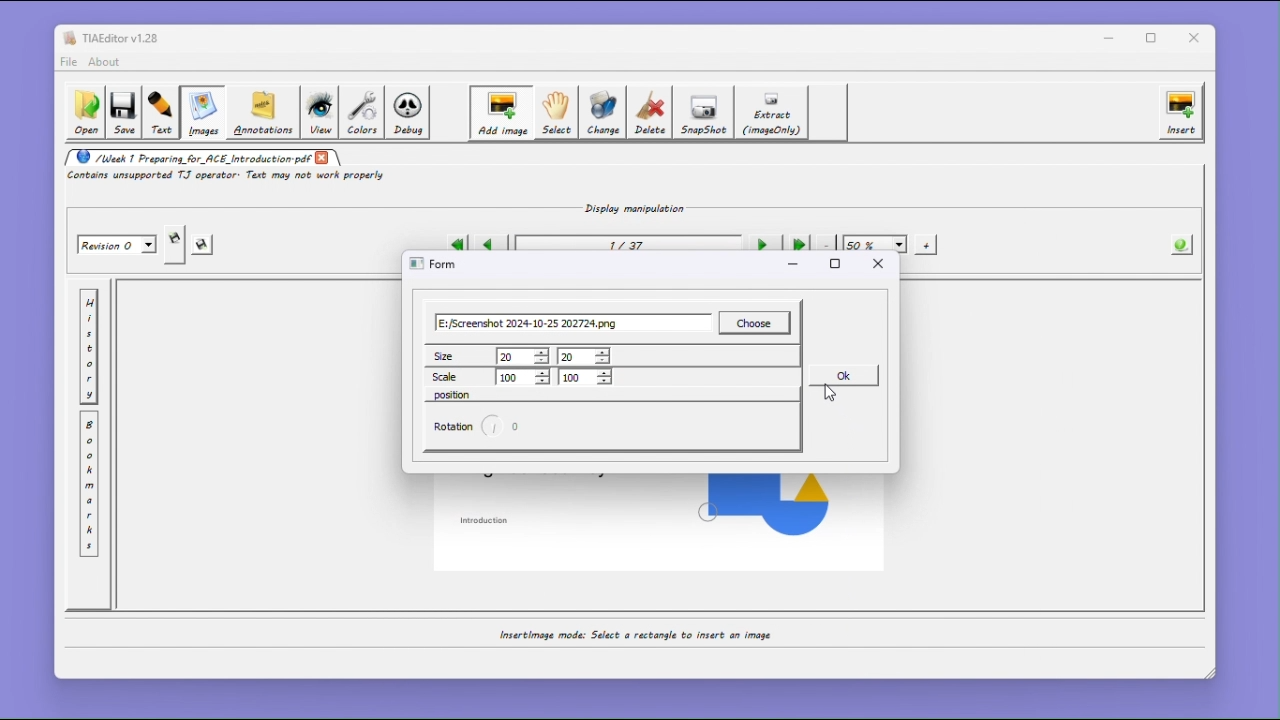 The height and width of the screenshot is (720, 1280). What do you see at coordinates (585, 377) in the screenshot?
I see `100` at bounding box center [585, 377].